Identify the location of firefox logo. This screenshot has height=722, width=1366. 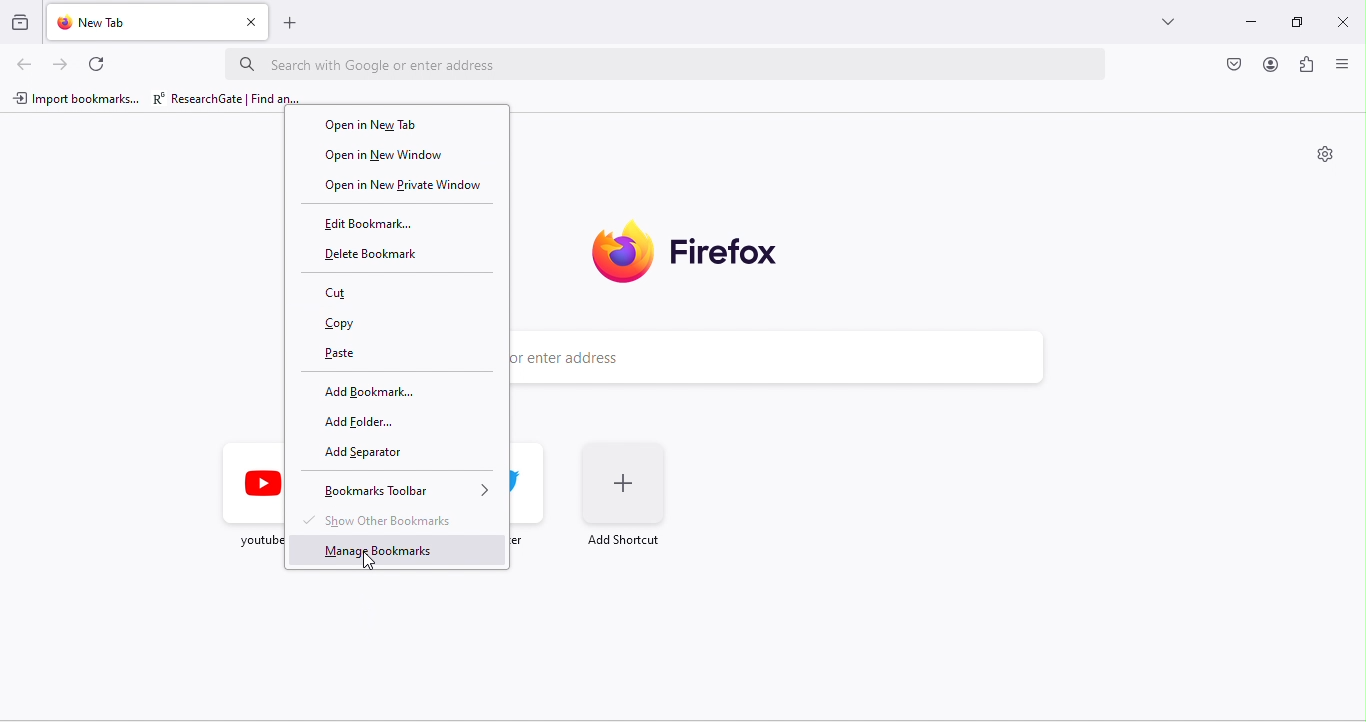
(620, 253).